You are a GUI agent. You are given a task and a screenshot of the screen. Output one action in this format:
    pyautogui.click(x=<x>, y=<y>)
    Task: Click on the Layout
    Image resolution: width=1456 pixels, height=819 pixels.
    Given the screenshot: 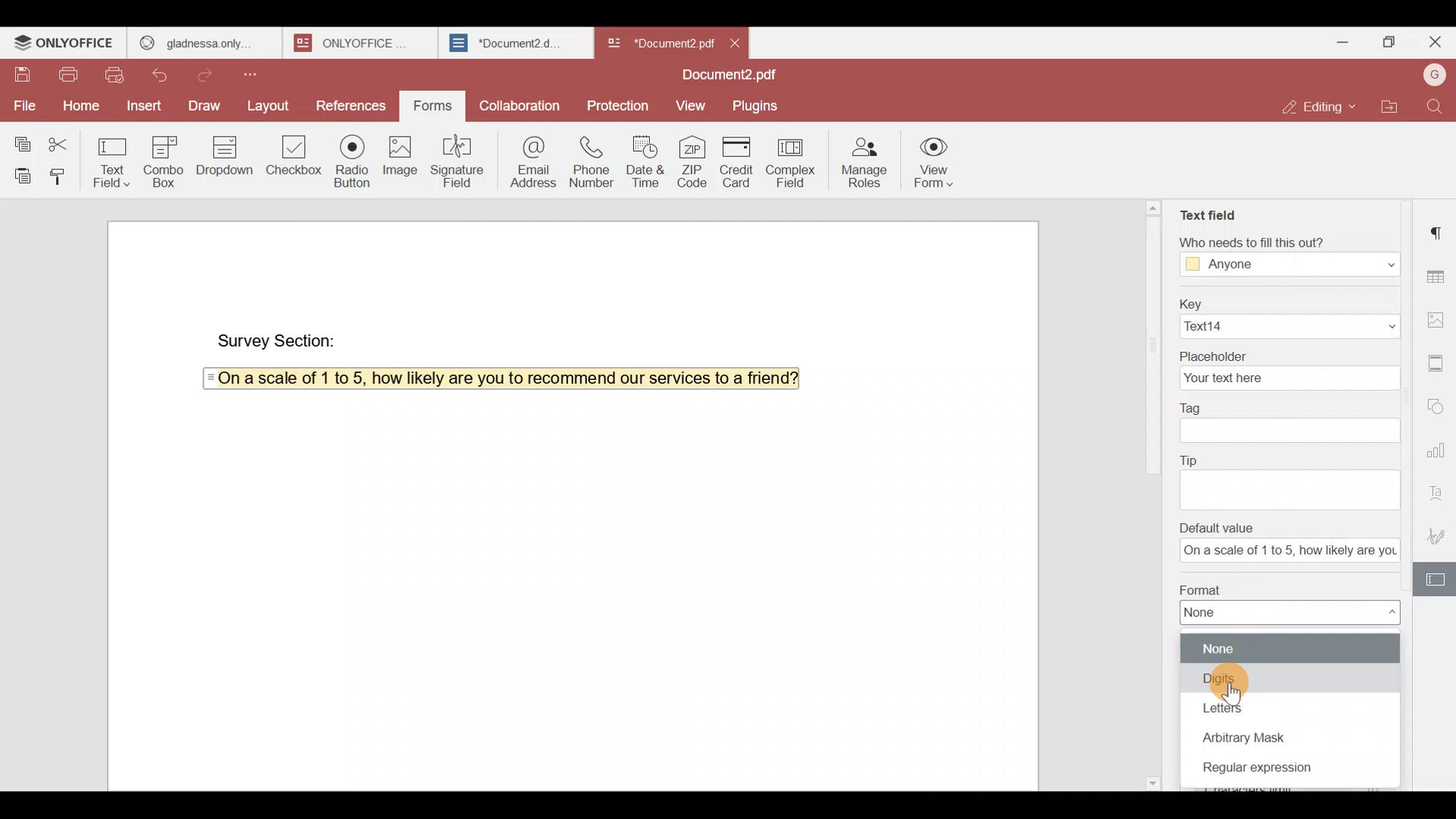 What is the action you would take?
    pyautogui.click(x=269, y=102)
    